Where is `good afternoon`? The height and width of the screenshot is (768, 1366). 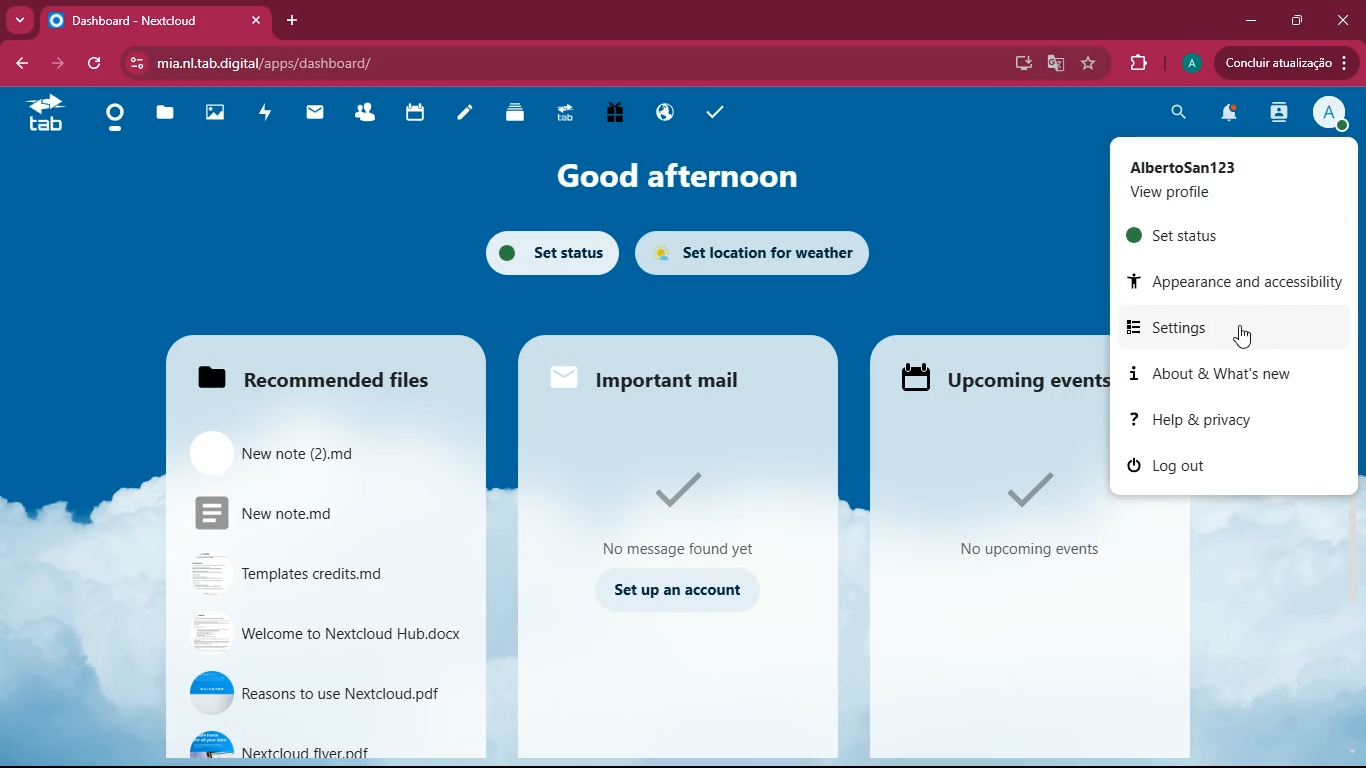
good afternoon is located at coordinates (674, 176).